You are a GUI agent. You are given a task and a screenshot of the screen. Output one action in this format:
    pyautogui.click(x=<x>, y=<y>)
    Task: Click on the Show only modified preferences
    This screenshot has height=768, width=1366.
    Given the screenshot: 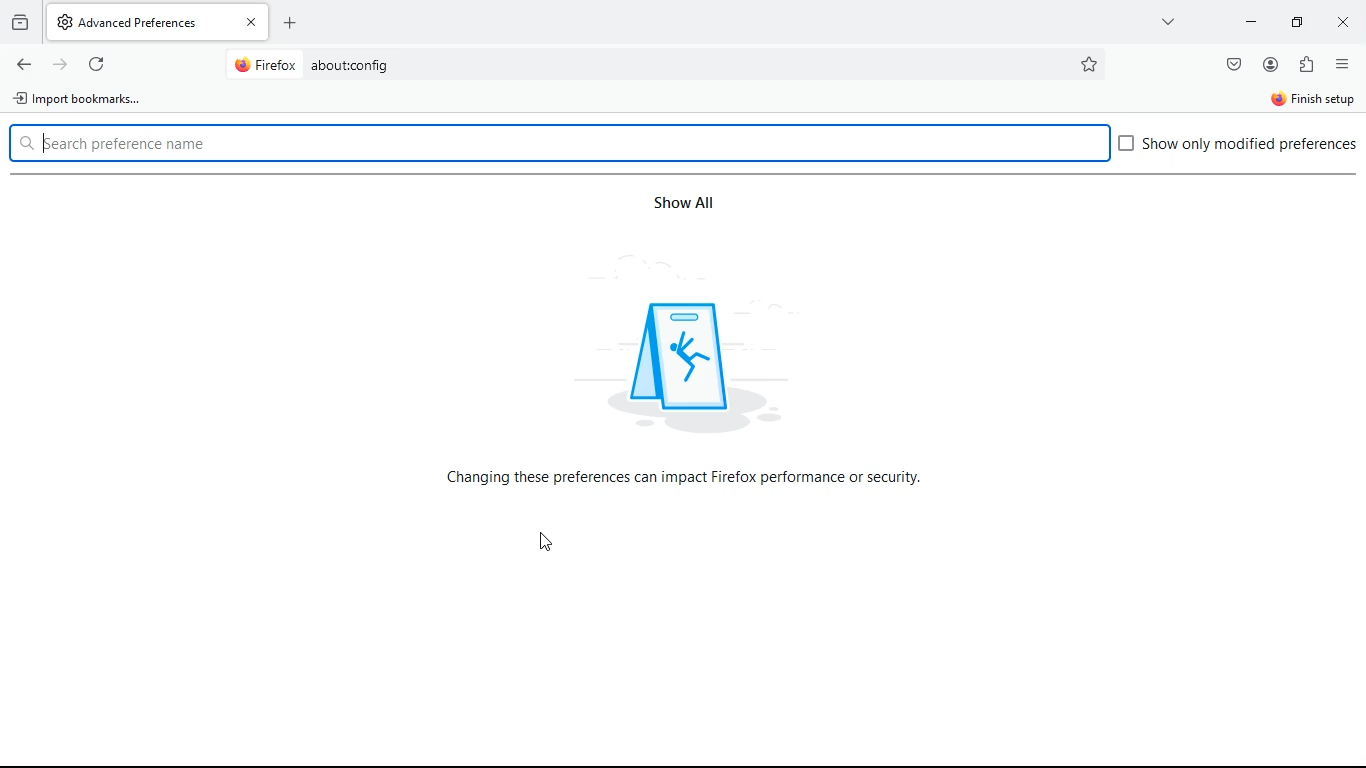 What is the action you would take?
    pyautogui.click(x=1240, y=145)
    